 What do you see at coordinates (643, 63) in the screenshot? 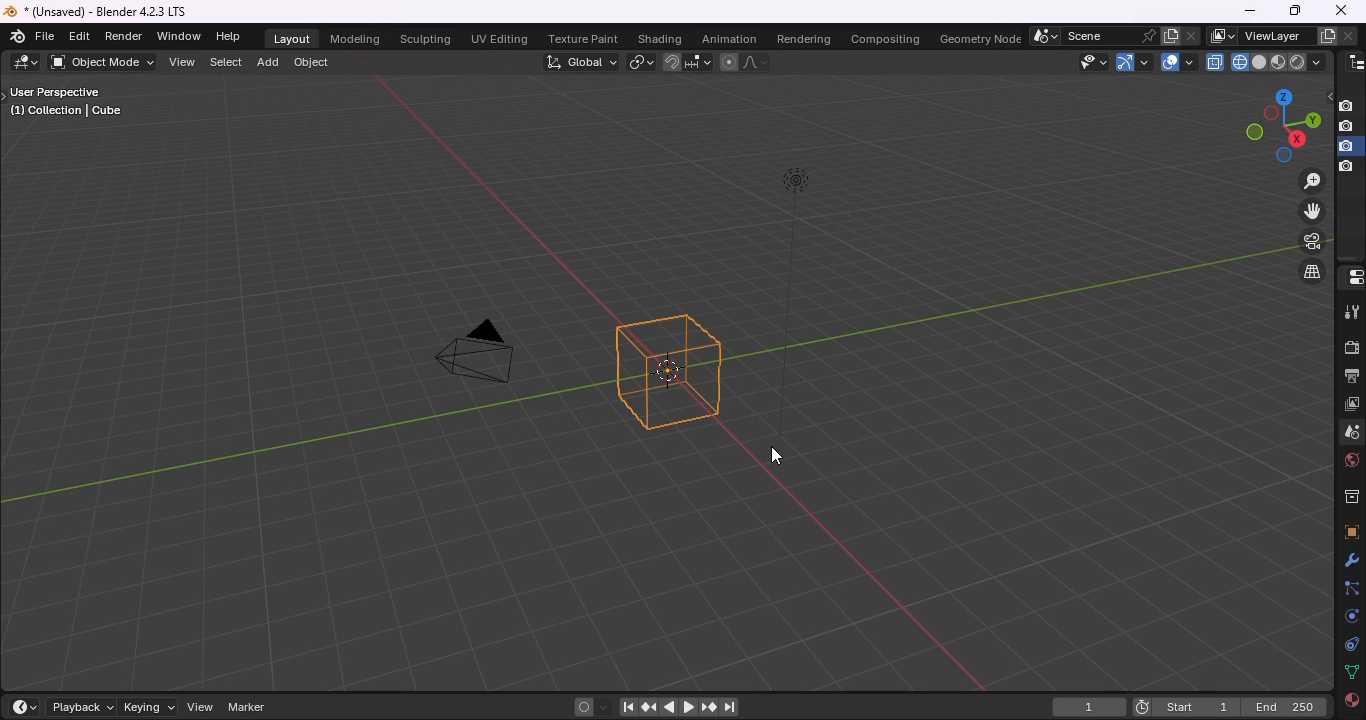
I see `transform pivot table` at bounding box center [643, 63].